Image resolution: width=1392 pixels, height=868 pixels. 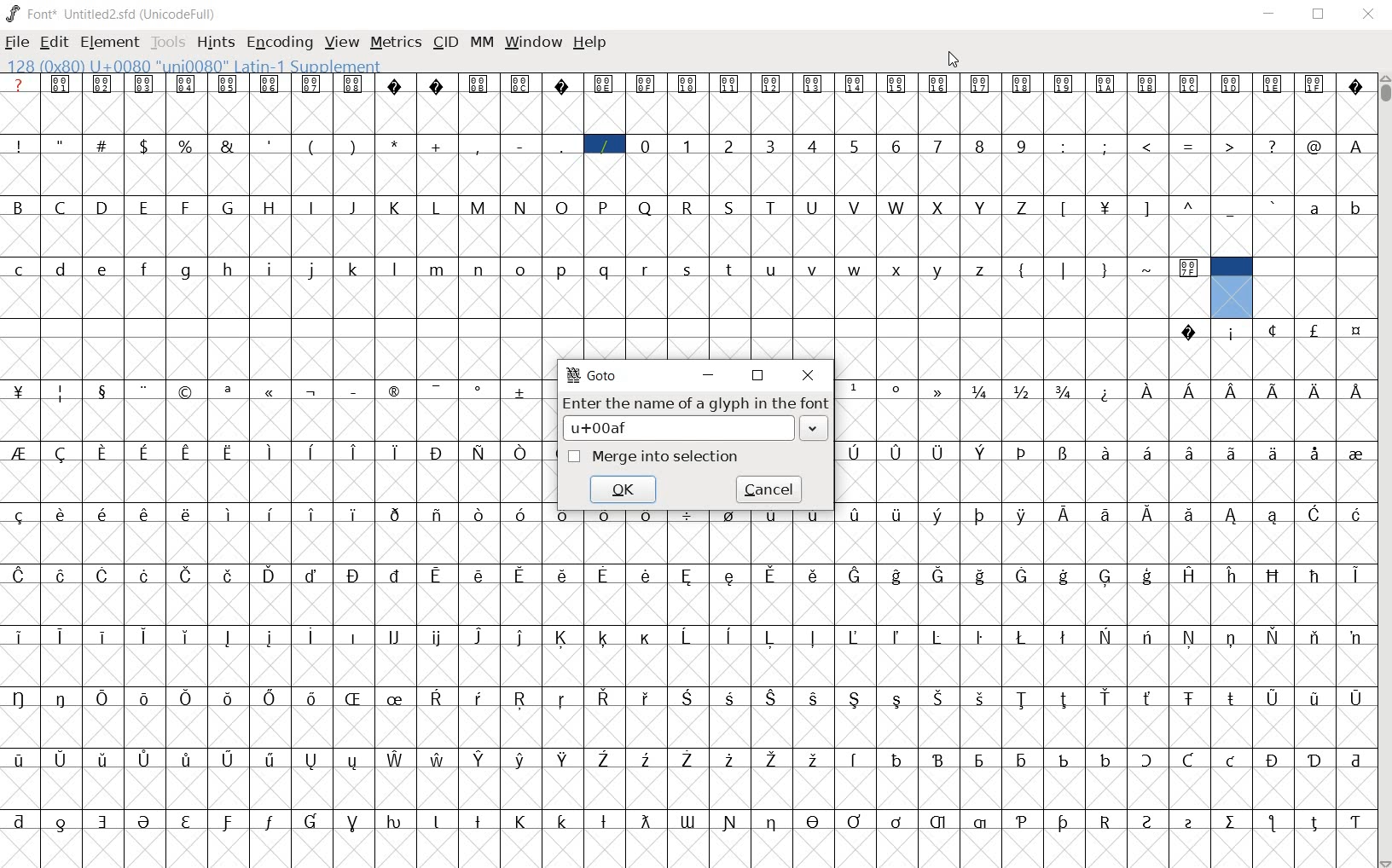 What do you see at coordinates (1230, 451) in the screenshot?
I see `Symbol` at bounding box center [1230, 451].